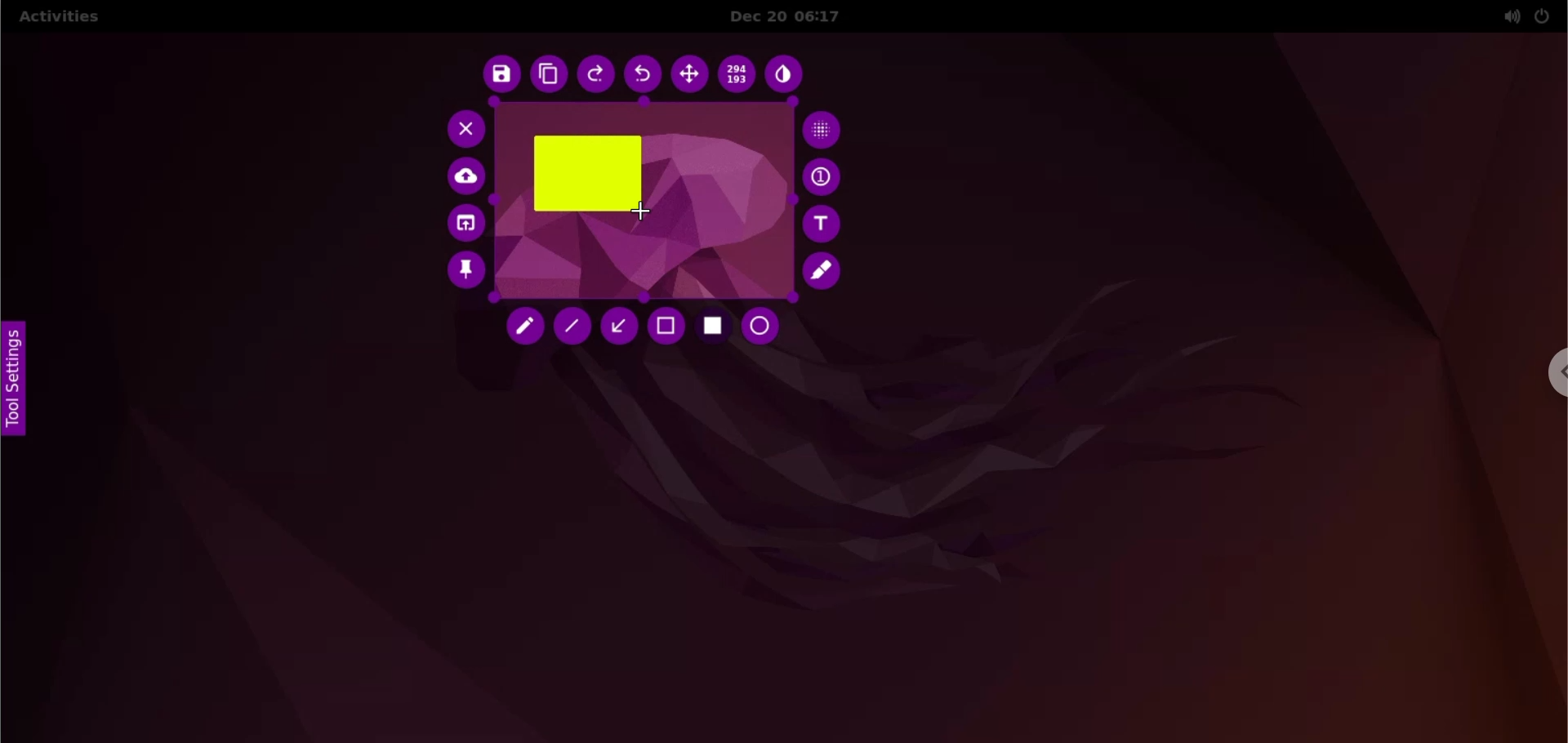 This screenshot has width=1568, height=743. Describe the element at coordinates (468, 177) in the screenshot. I see `upload` at that location.